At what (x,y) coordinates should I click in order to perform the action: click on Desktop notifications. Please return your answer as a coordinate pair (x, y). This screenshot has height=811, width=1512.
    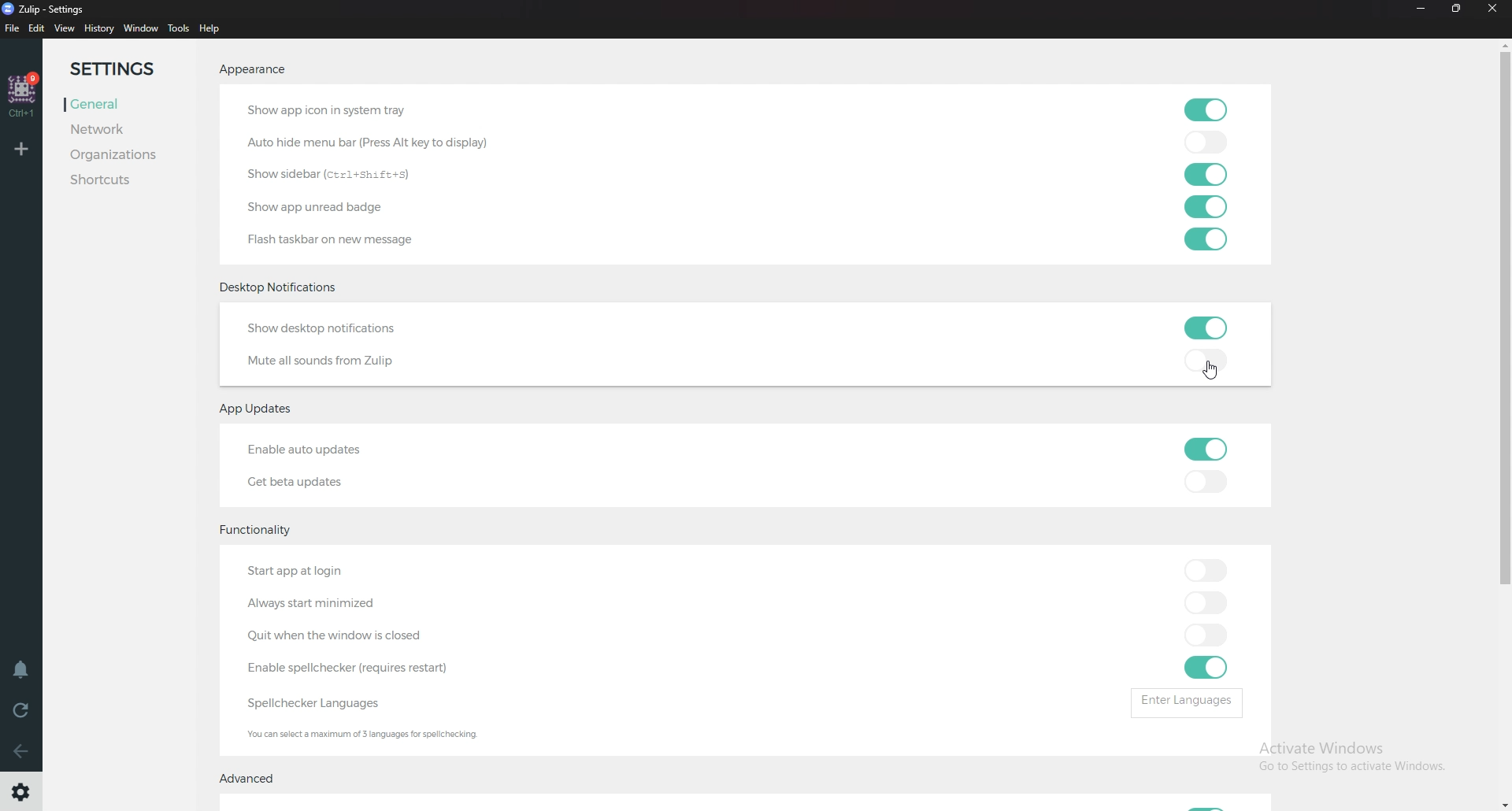
    Looking at the image, I should click on (281, 287).